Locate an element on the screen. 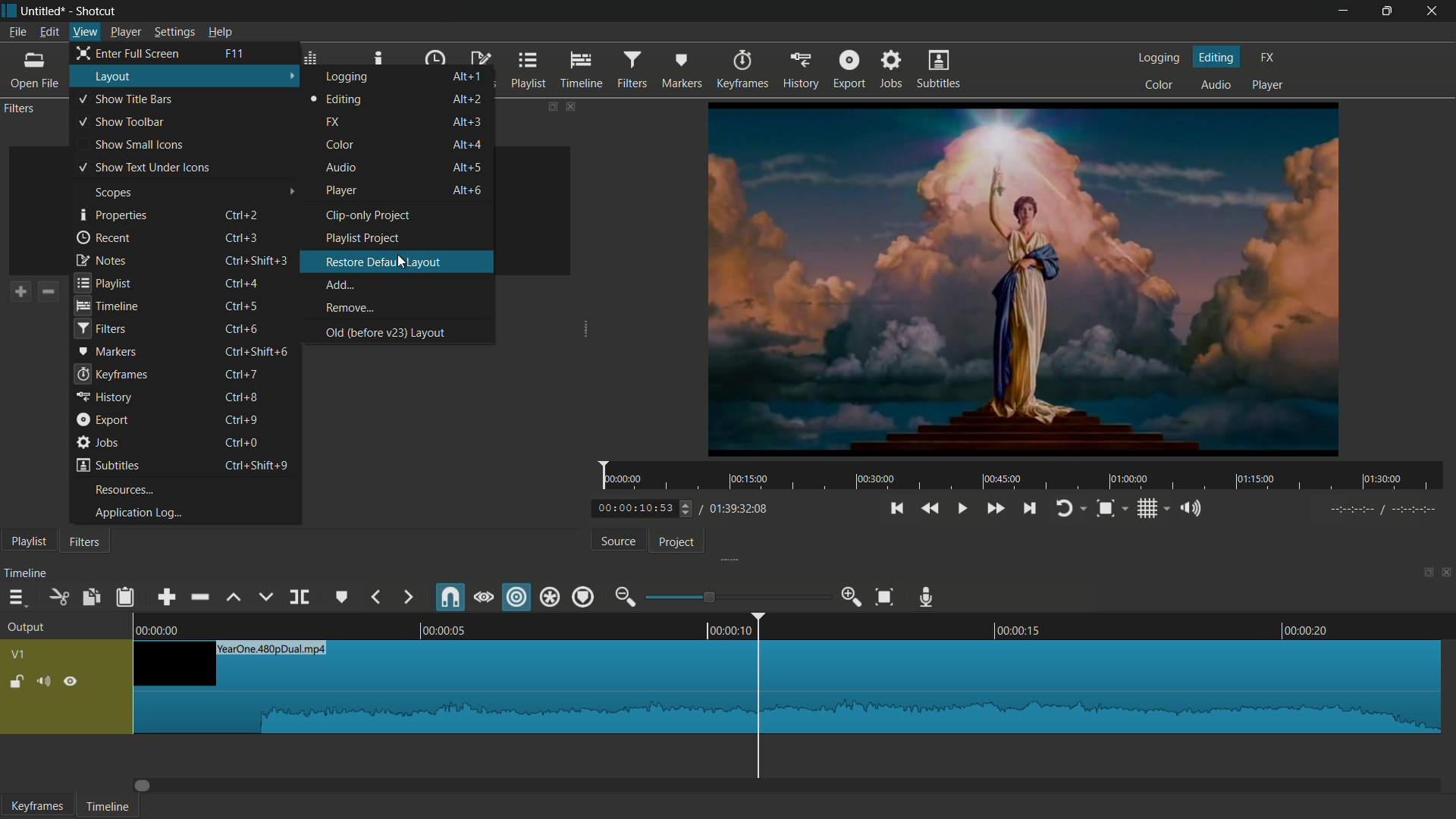 The image size is (1456, 819). keyframes is located at coordinates (111, 374).